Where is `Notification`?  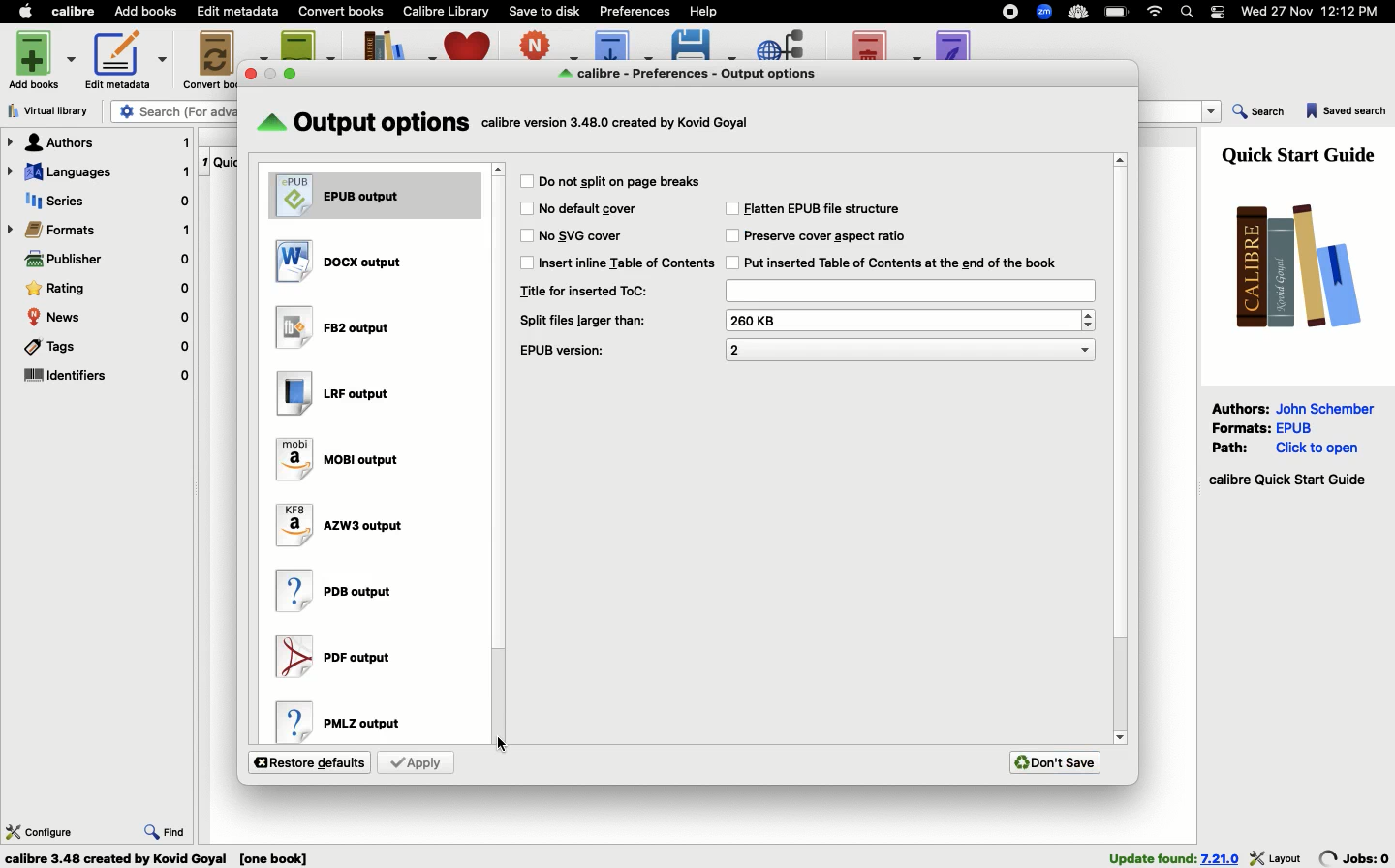 Notification is located at coordinates (1219, 12).